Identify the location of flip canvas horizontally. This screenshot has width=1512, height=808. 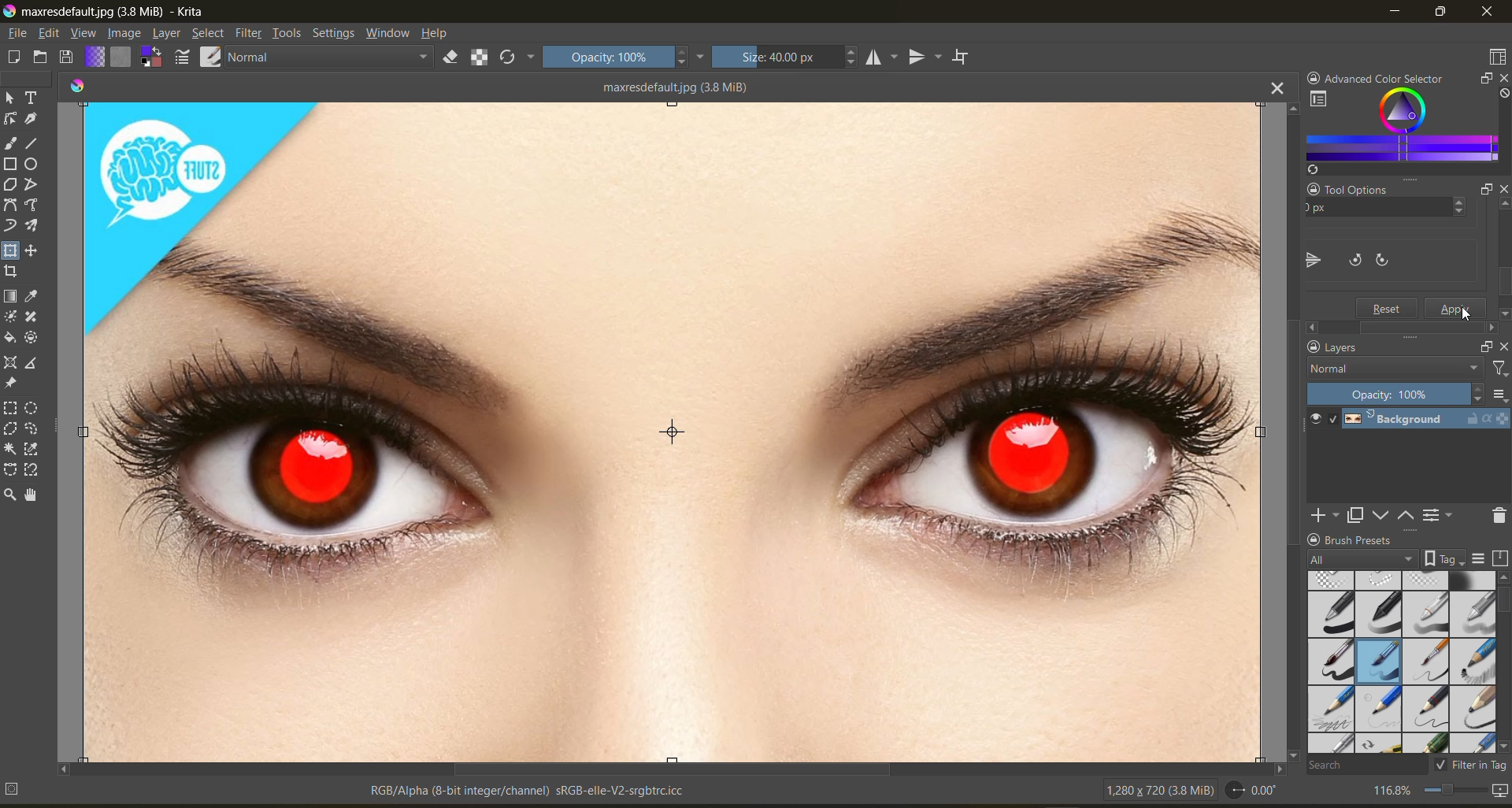
(1350, 262).